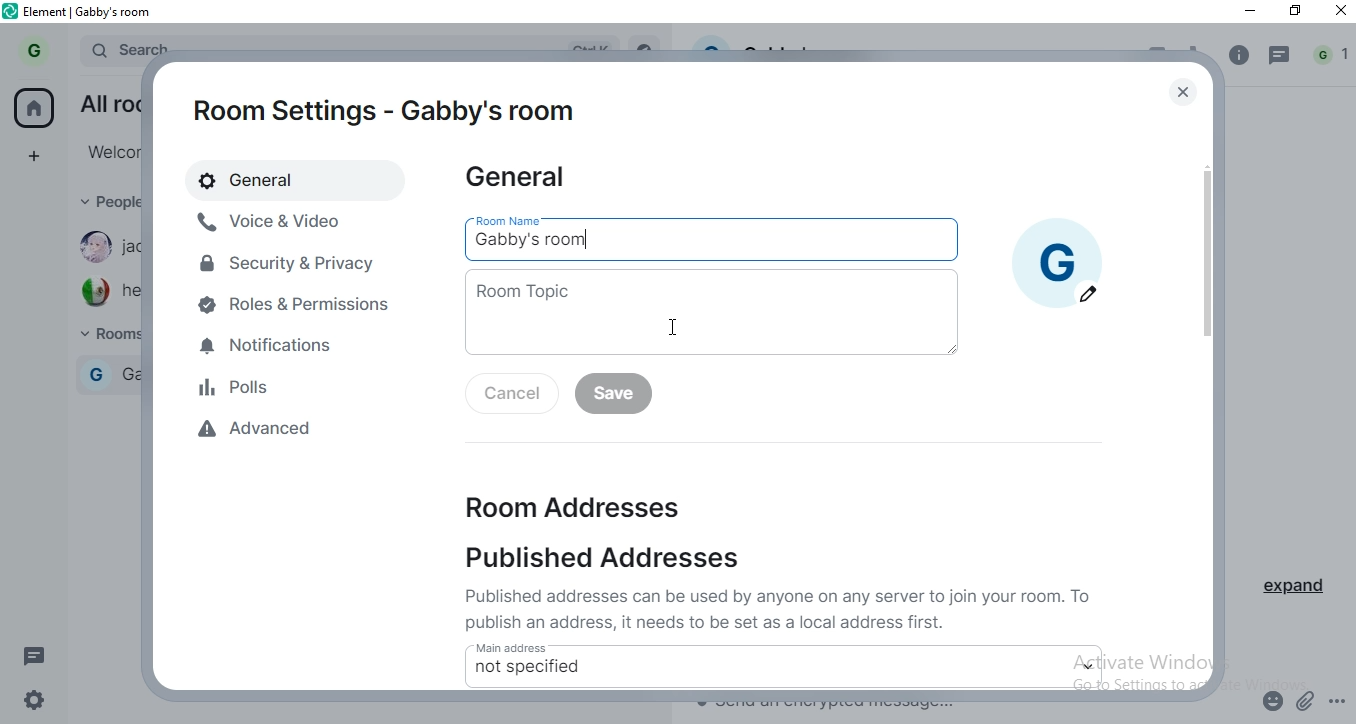 The image size is (1356, 724). Describe the element at coordinates (300, 385) in the screenshot. I see `polls` at that location.